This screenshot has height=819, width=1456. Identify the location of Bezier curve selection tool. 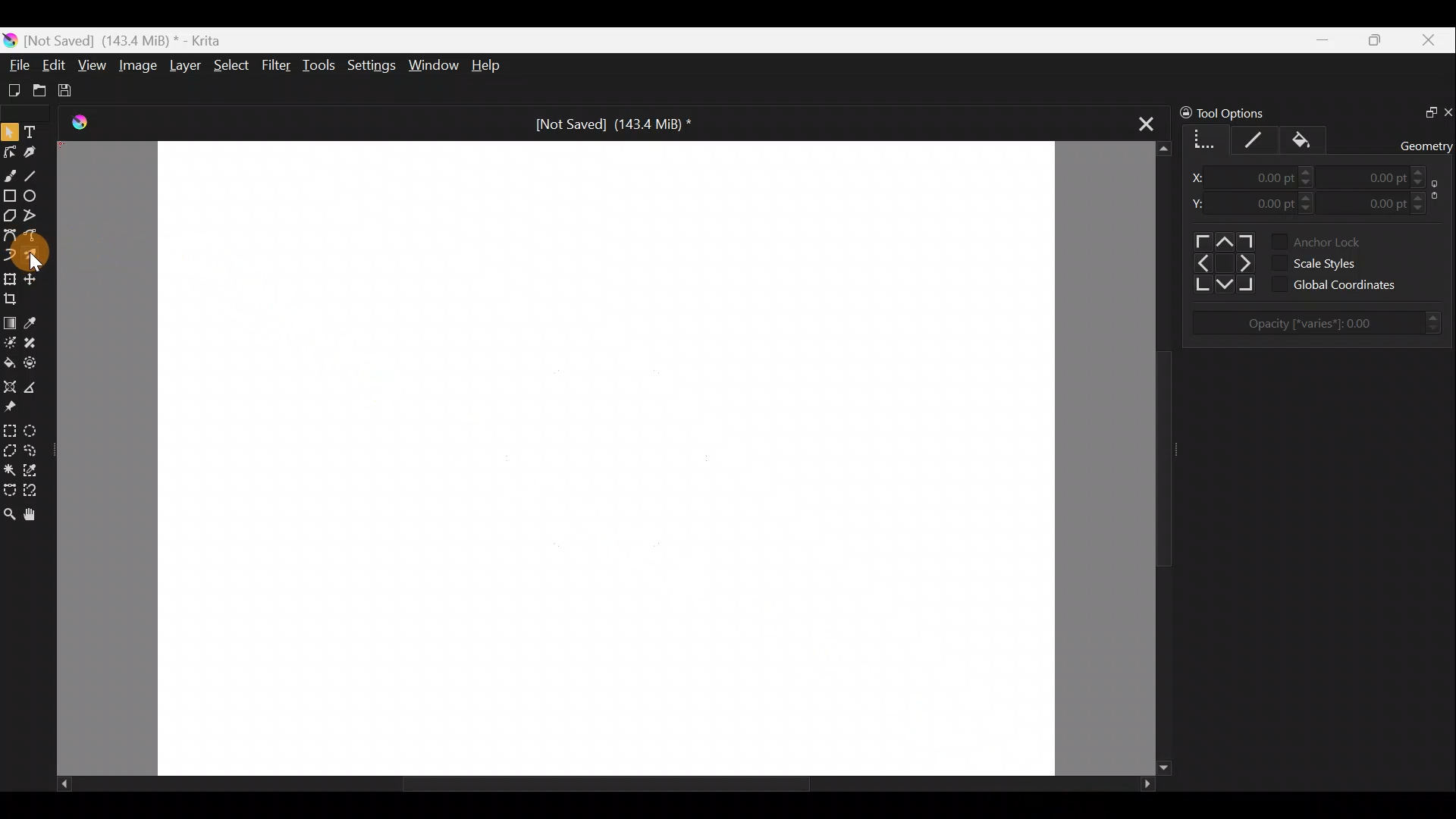
(9, 490).